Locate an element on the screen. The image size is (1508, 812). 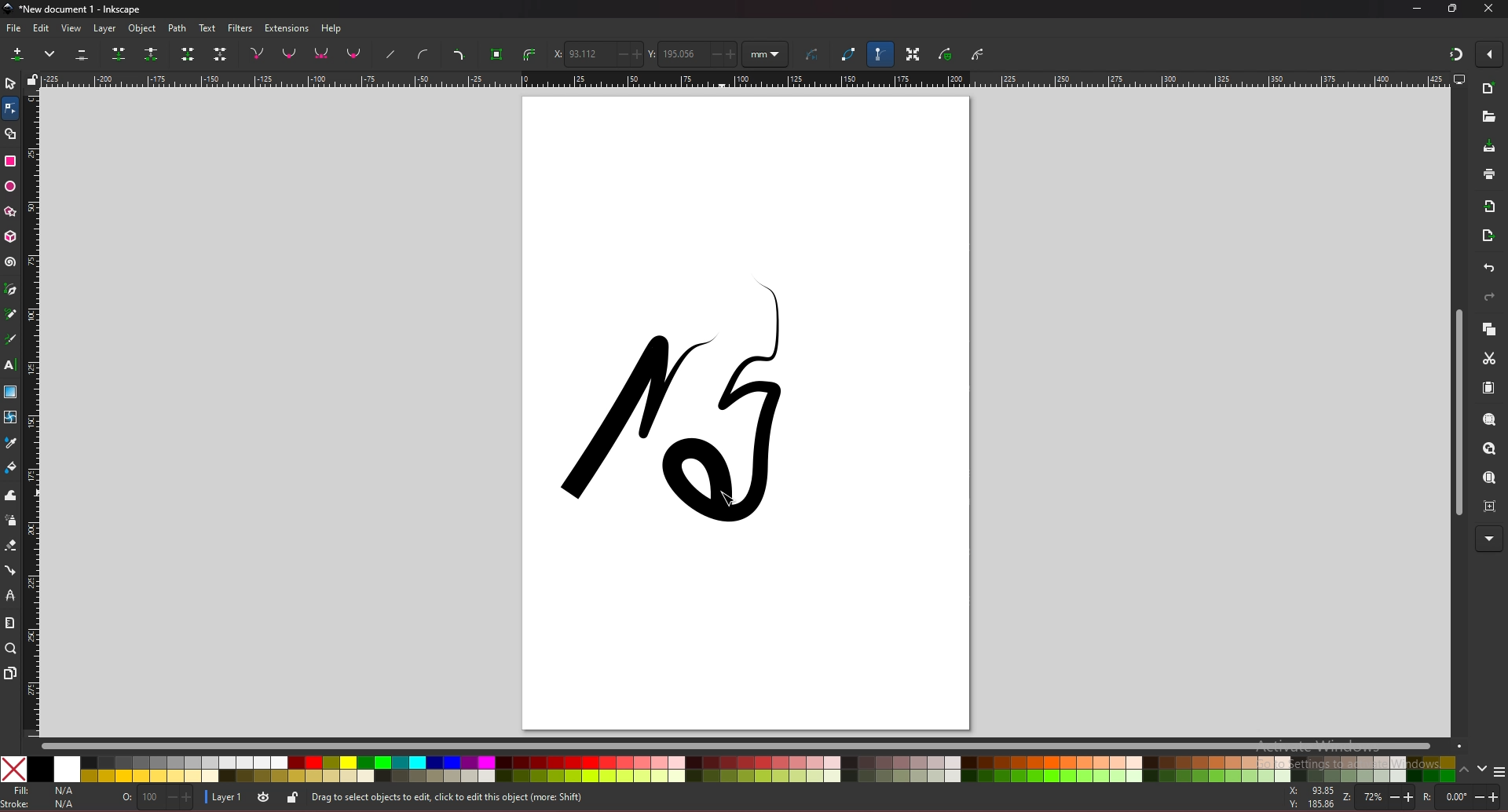
smooth node is located at coordinates (289, 53).